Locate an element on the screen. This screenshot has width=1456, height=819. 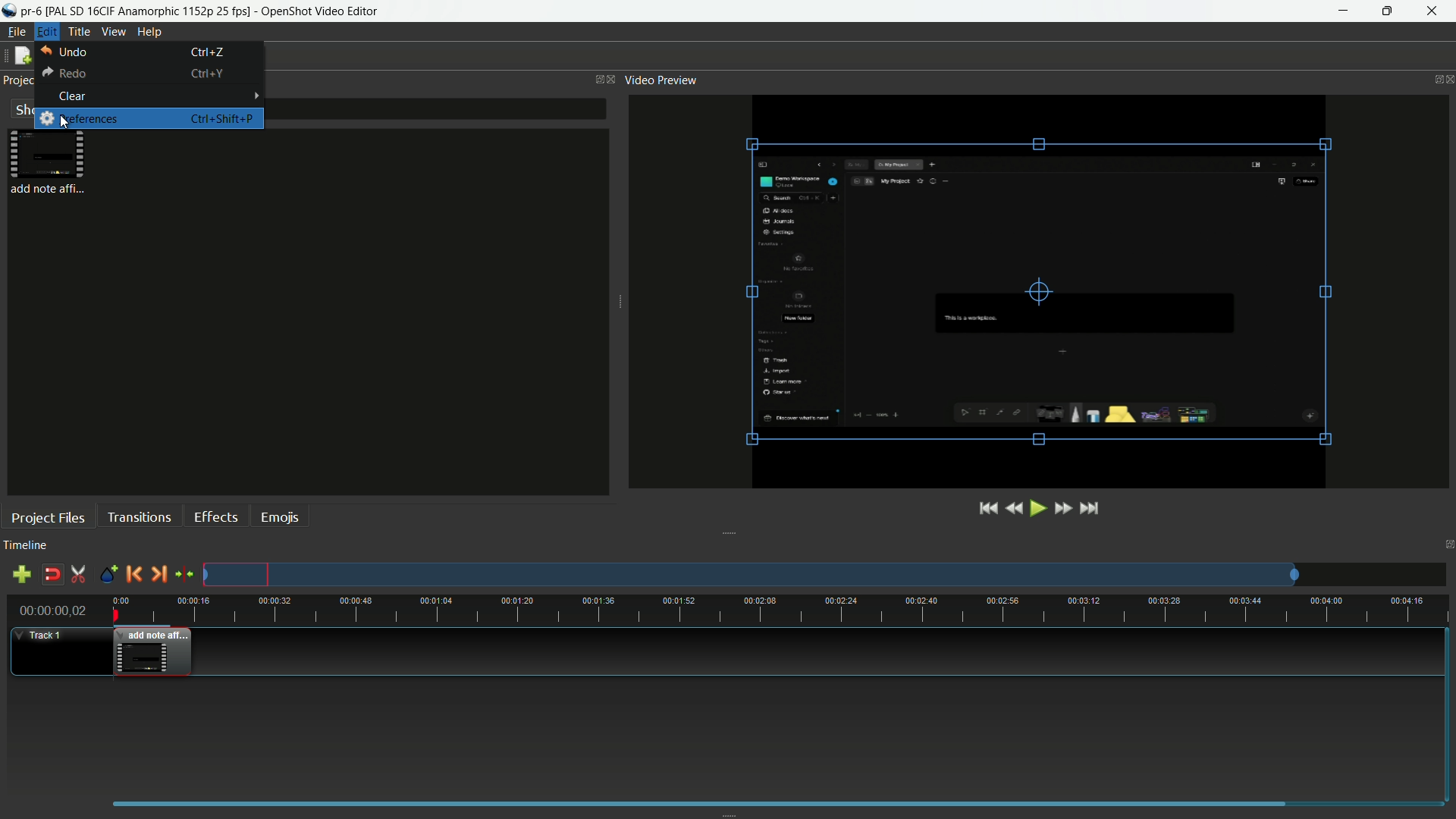
close project files is located at coordinates (613, 80).